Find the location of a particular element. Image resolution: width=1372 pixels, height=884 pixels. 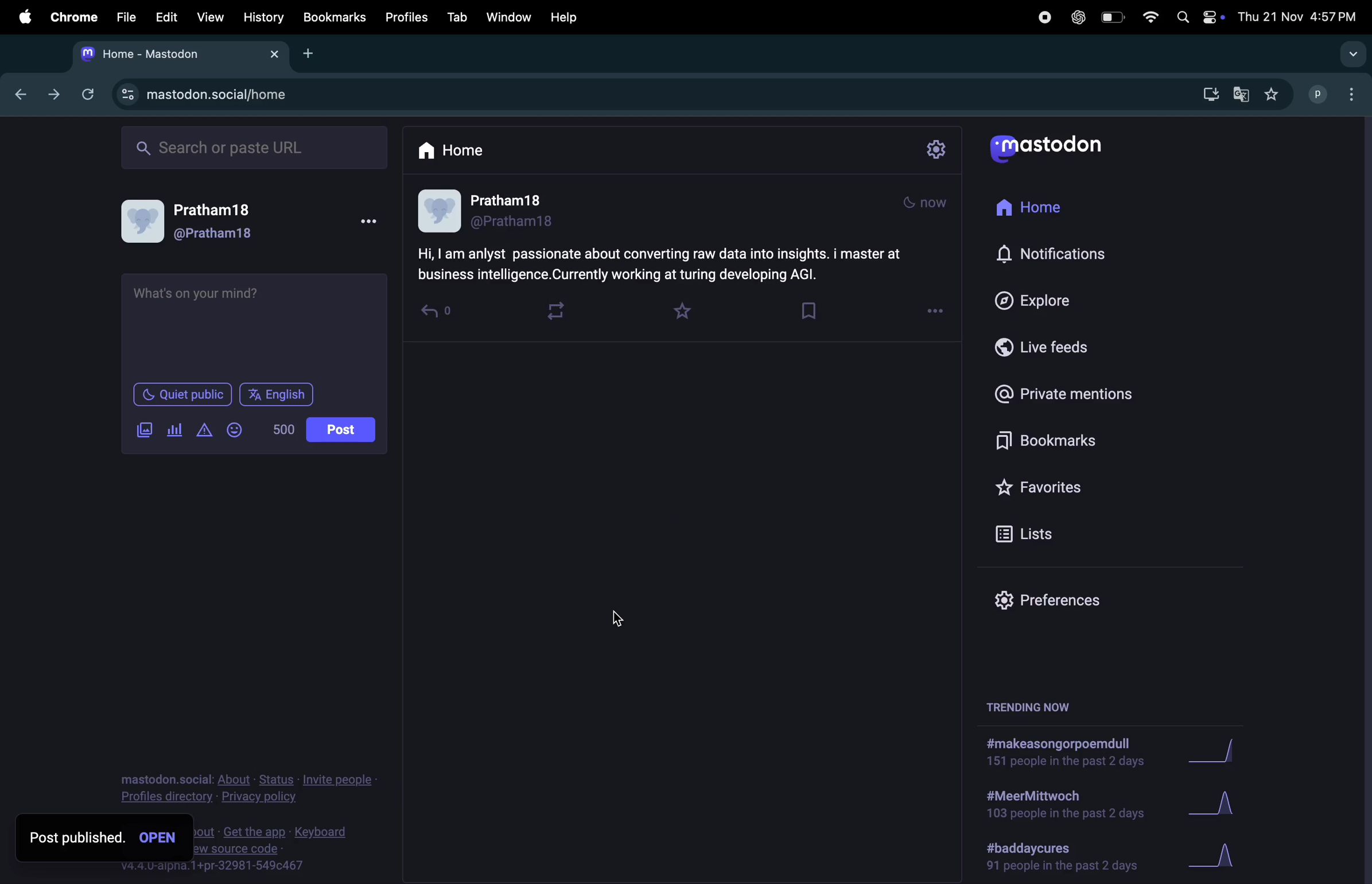

tab is located at coordinates (456, 15).